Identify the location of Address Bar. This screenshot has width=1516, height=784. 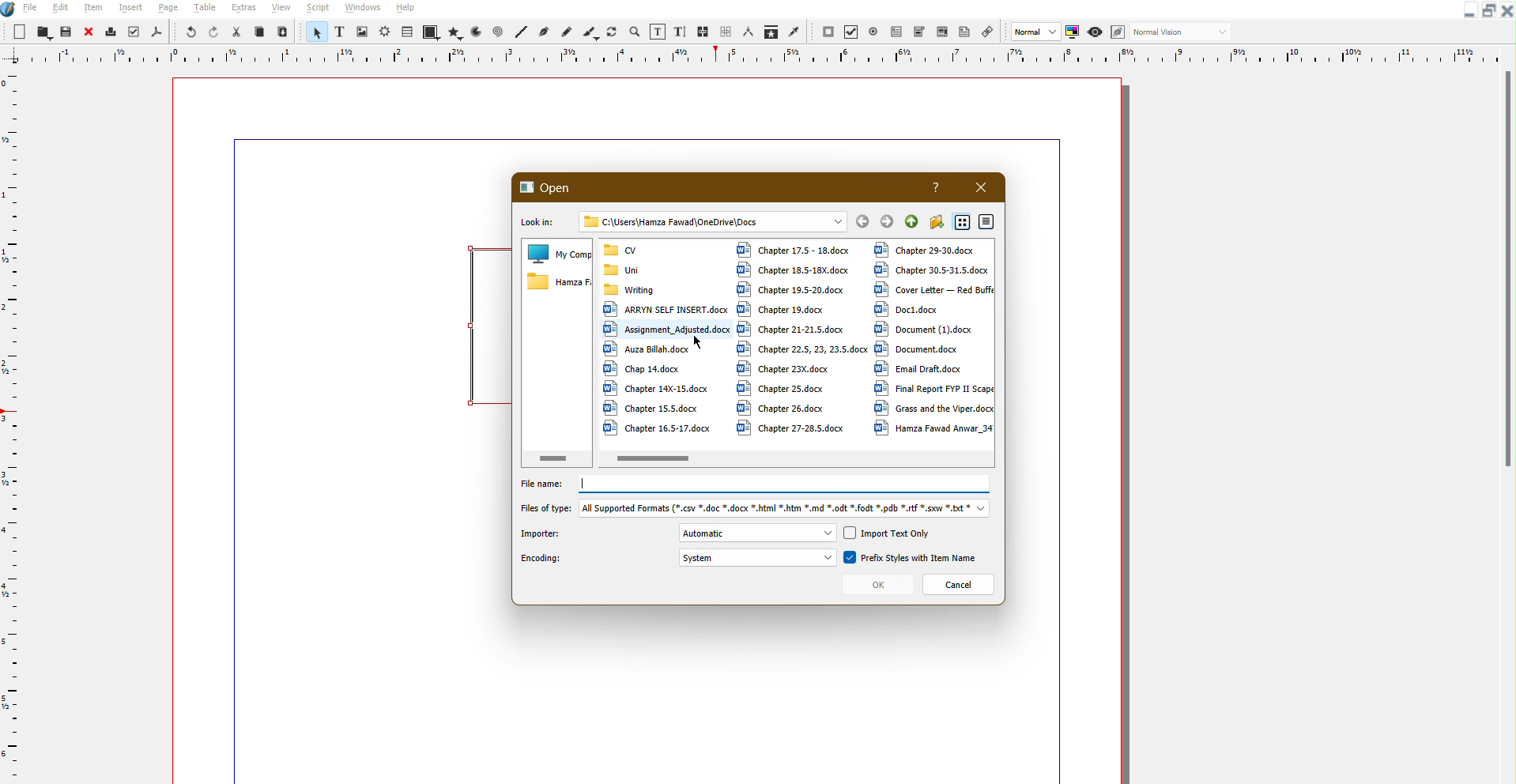
(711, 223).